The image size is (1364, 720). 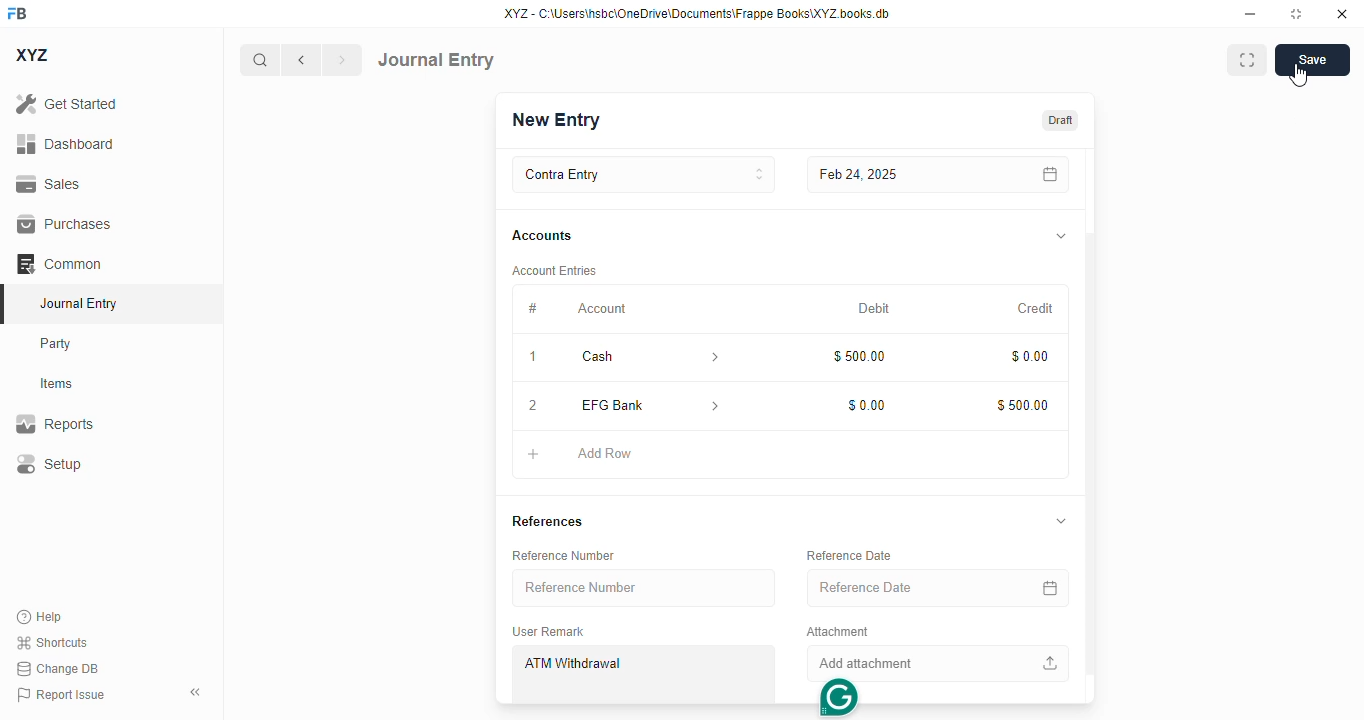 What do you see at coordinates (643, 674) in the screenshot?
I see `ATM withdrawal` at bounding box center [643, 674].